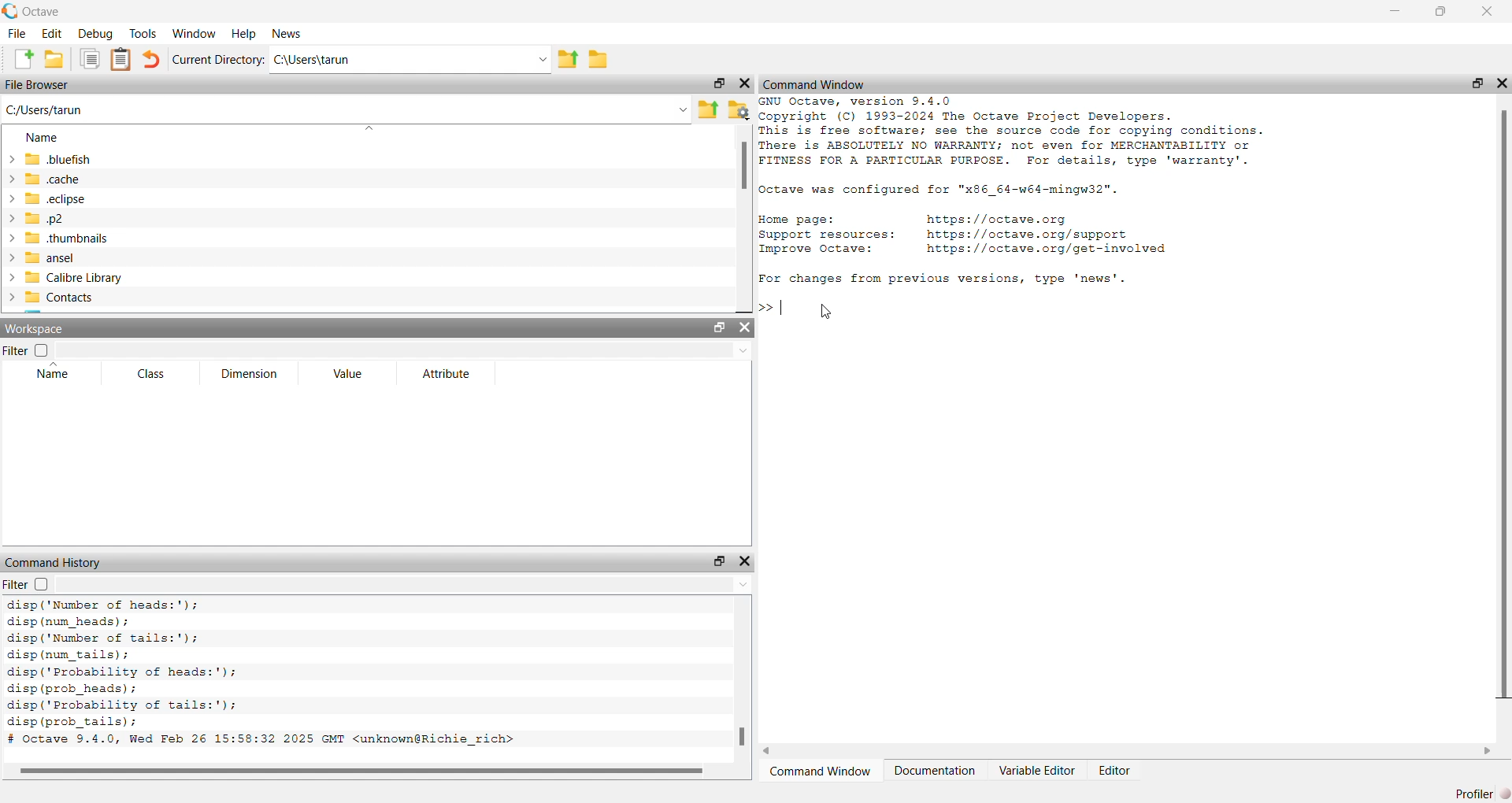  Describe the element at coordinates (543, 57) in the screenshot. I see `Enter directory name` at that location.